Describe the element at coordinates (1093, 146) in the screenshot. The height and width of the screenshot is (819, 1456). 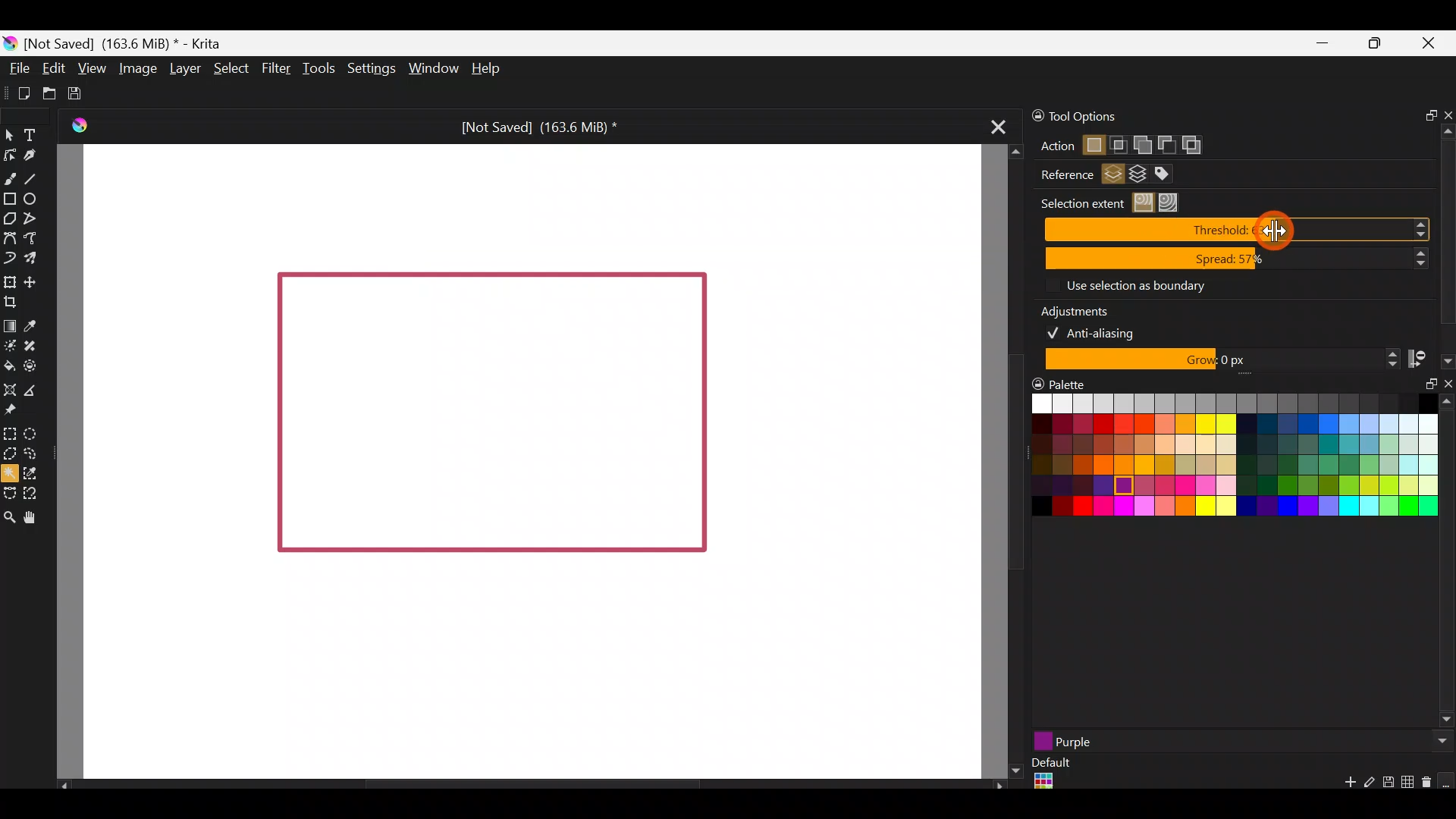
I see `Replace` at that location.